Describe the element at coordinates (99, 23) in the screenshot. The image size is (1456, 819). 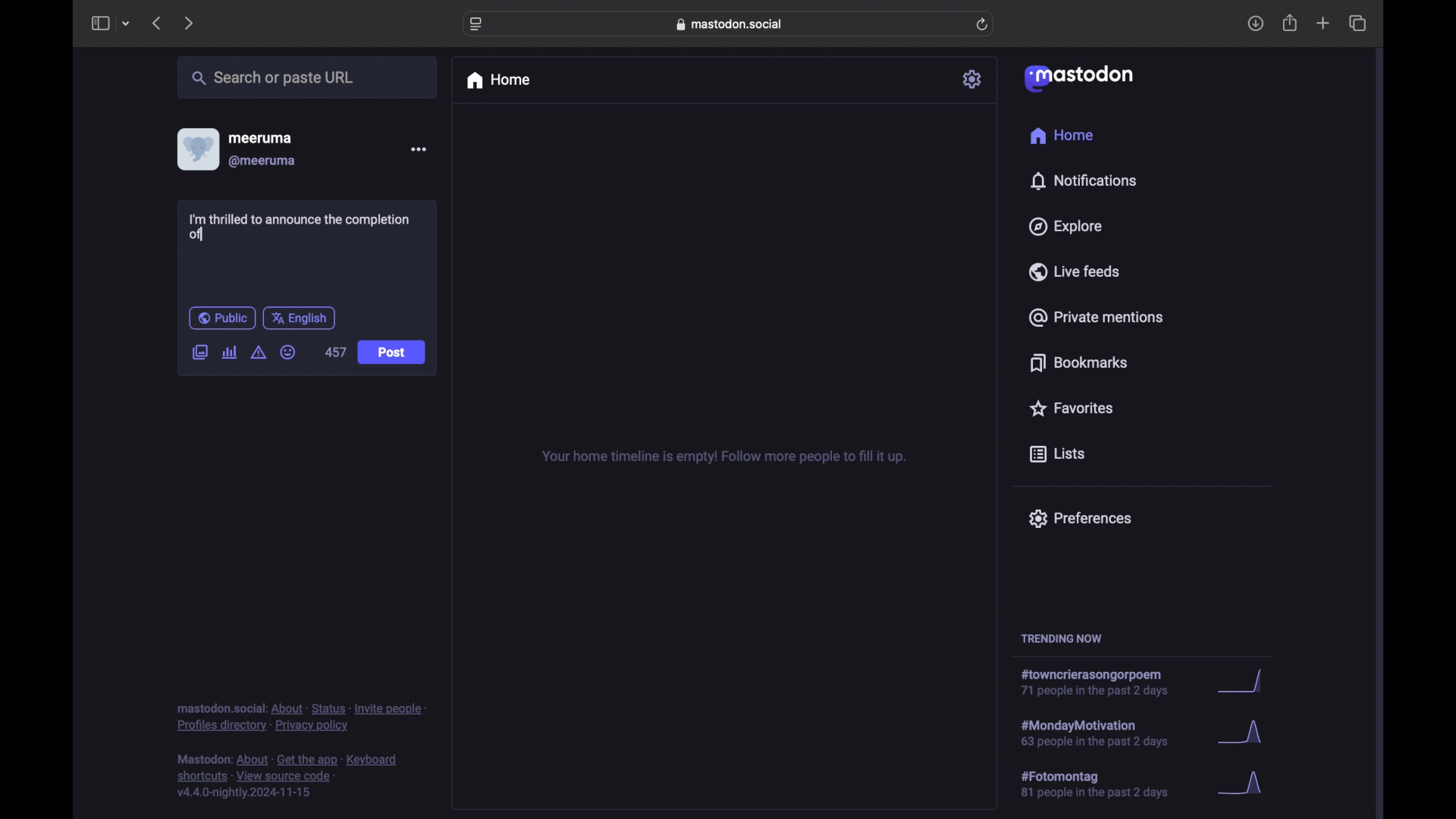
I see `side bar` at that location.